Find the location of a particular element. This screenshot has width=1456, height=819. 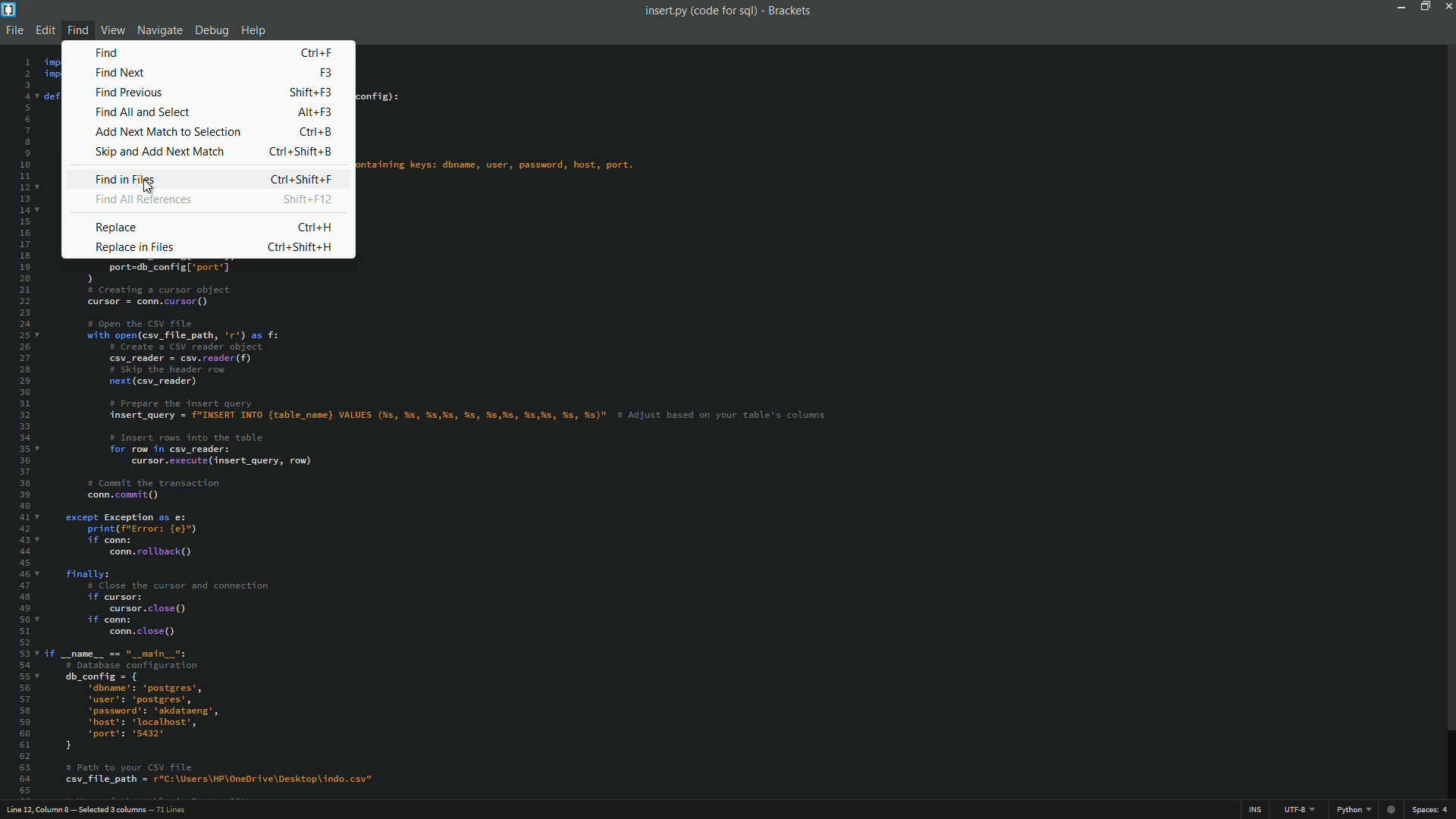

skip and add next match is located at coordinates (158, 152).